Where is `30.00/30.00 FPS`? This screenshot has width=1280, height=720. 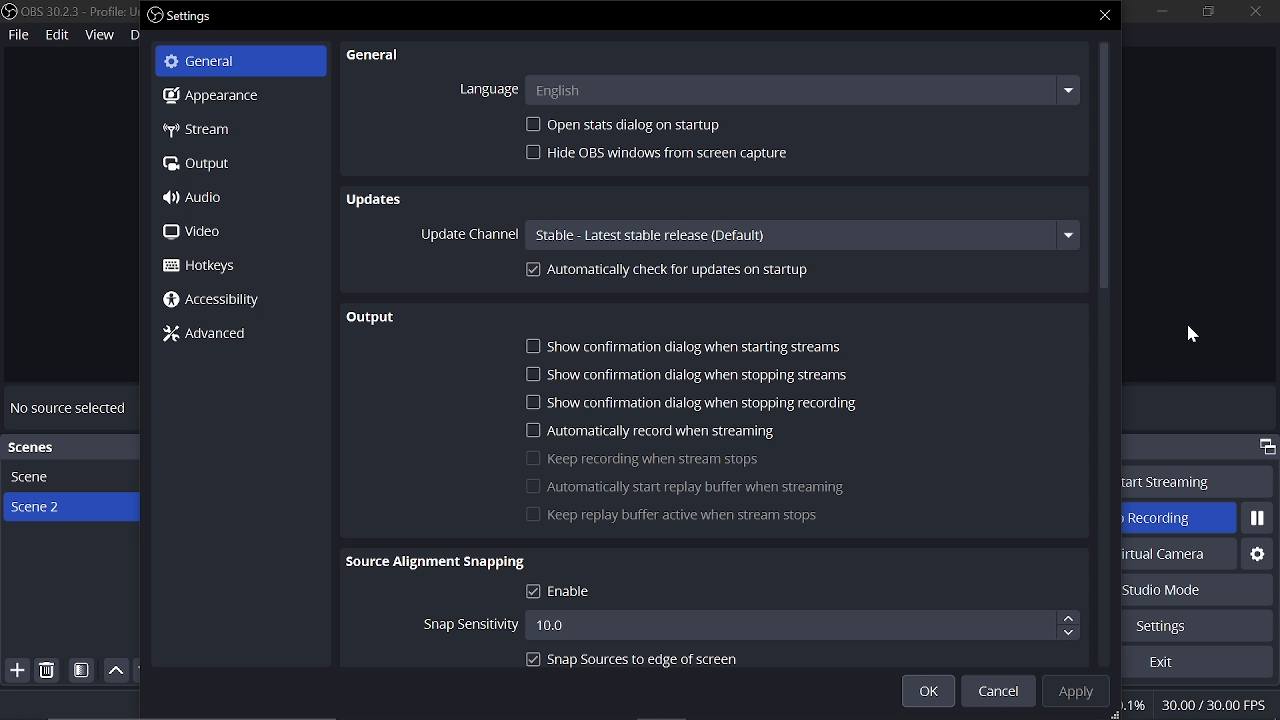 30.00/30.00 FPS is located at coordinates (1218, 705).